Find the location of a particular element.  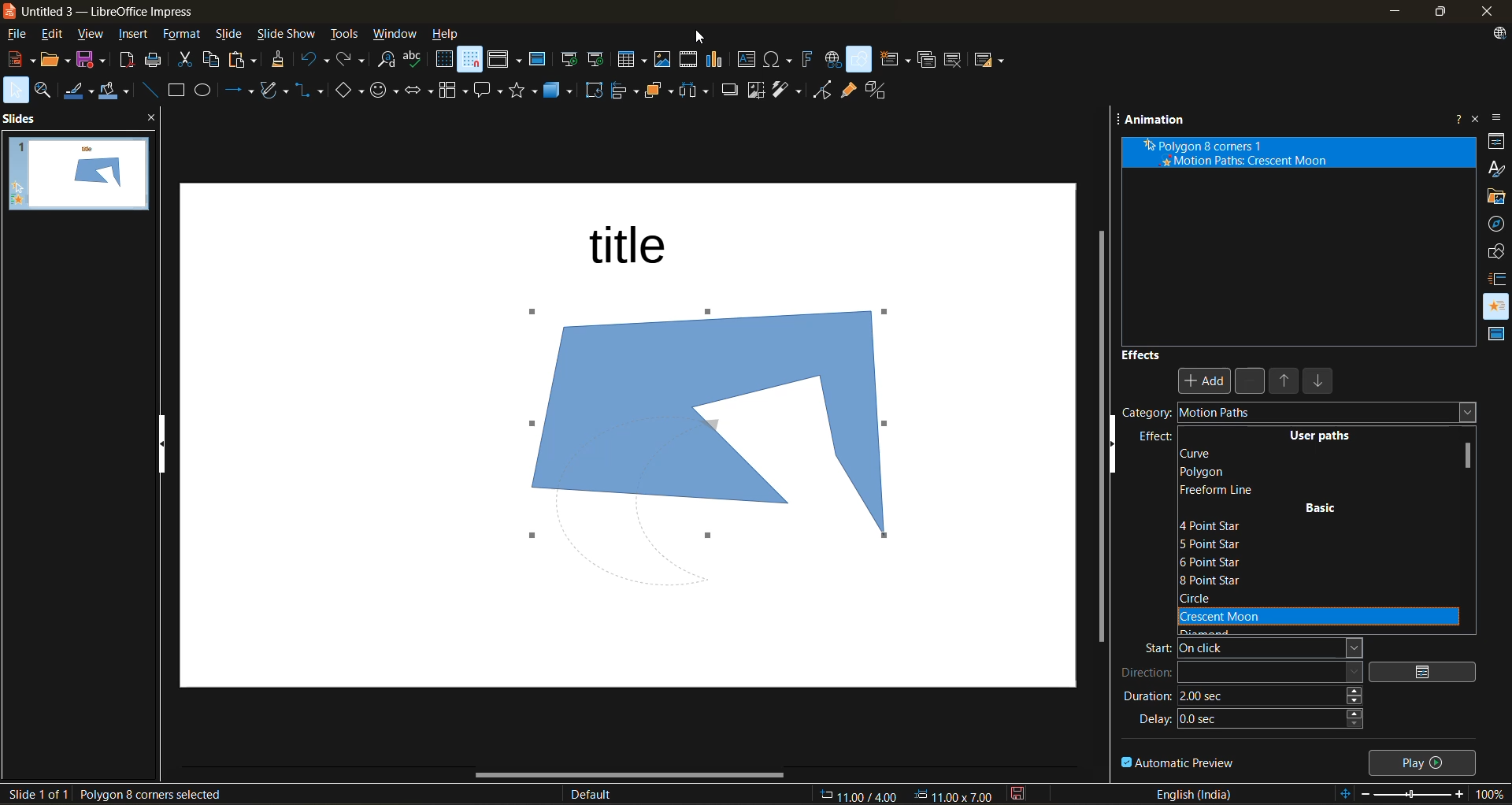

new slide is located at coordinates (893, 59).